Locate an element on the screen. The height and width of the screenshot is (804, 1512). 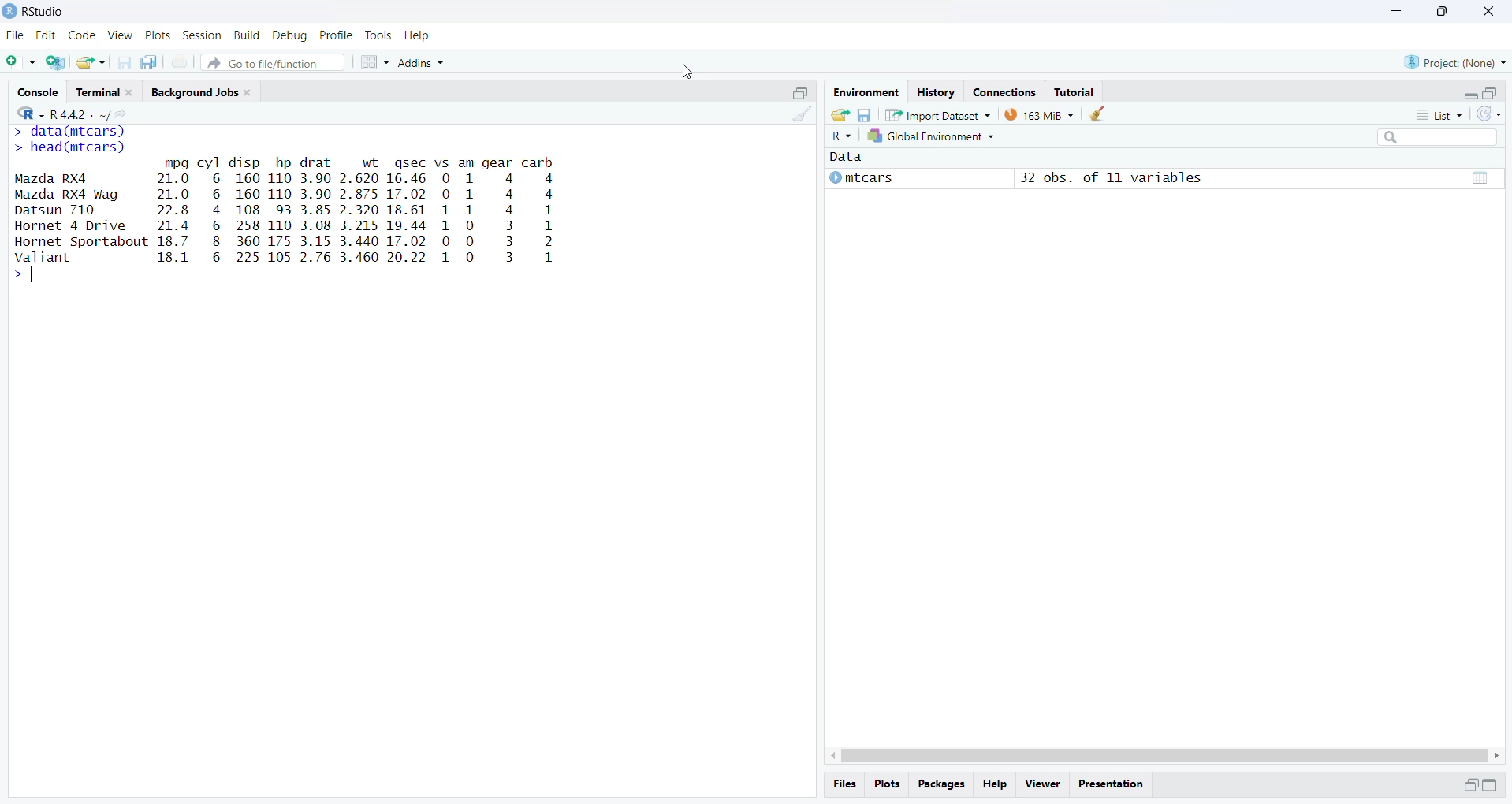
close is located at coordinates (1490, 9).